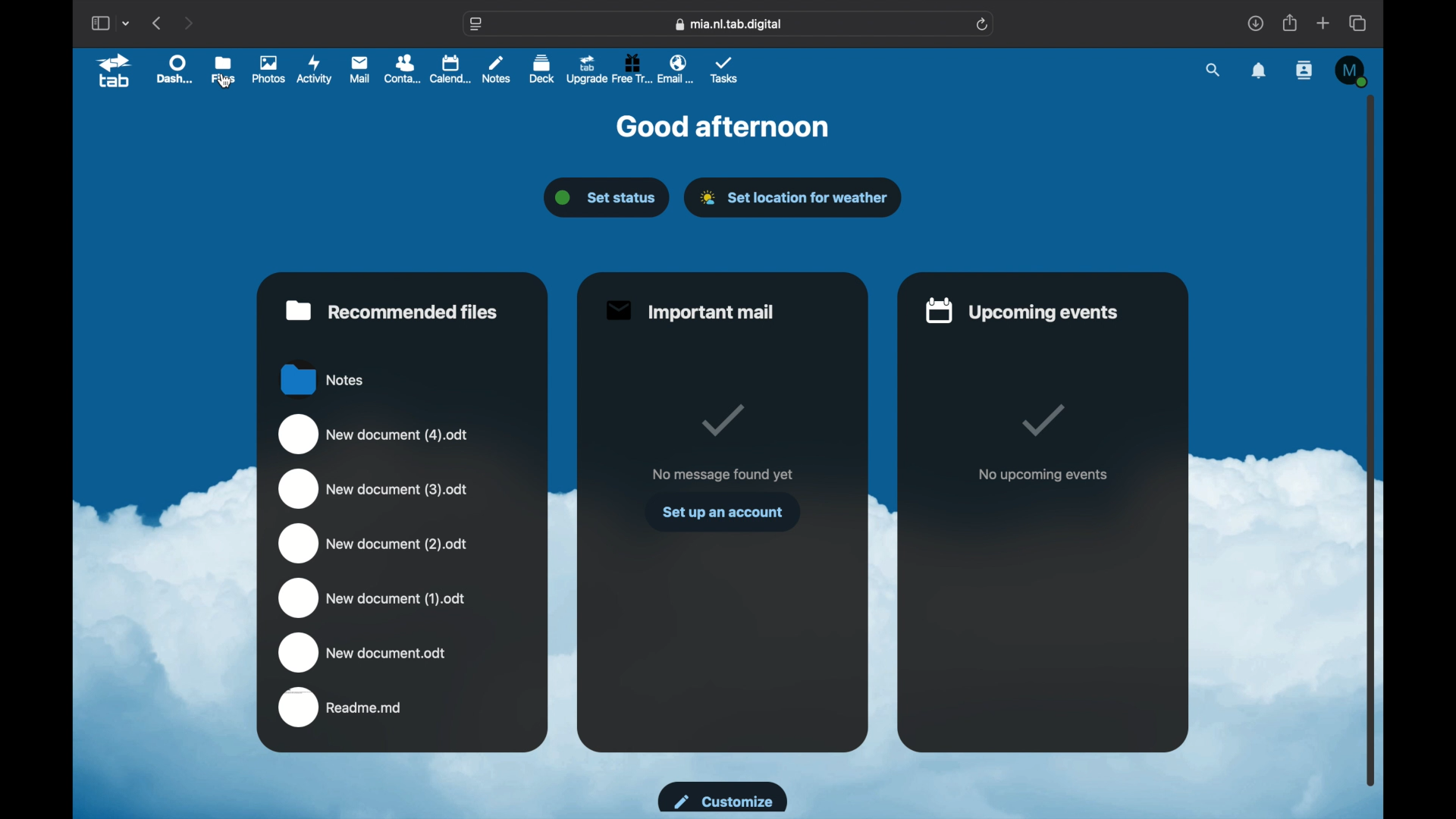  Describe the element at coordinates (1288, 23) in the screenshot. I see `share` at that location.